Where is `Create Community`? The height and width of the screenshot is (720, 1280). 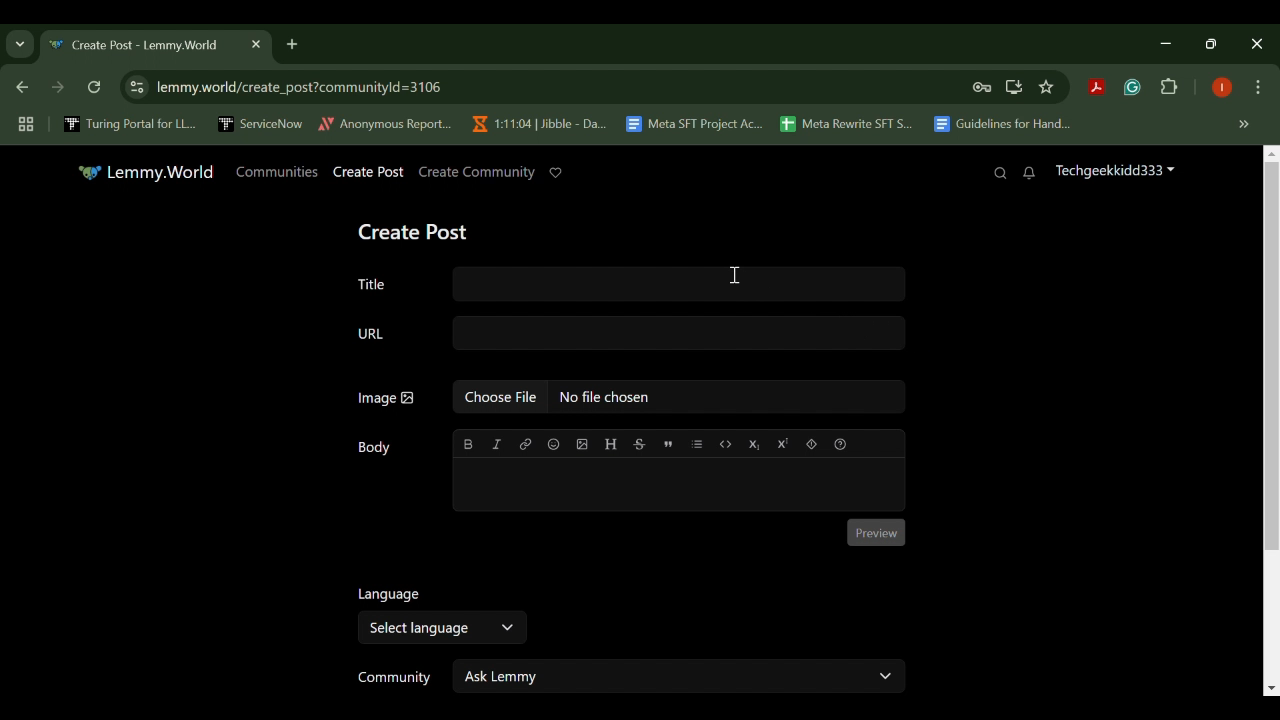 Create Community is located at coordinates (475, 172).